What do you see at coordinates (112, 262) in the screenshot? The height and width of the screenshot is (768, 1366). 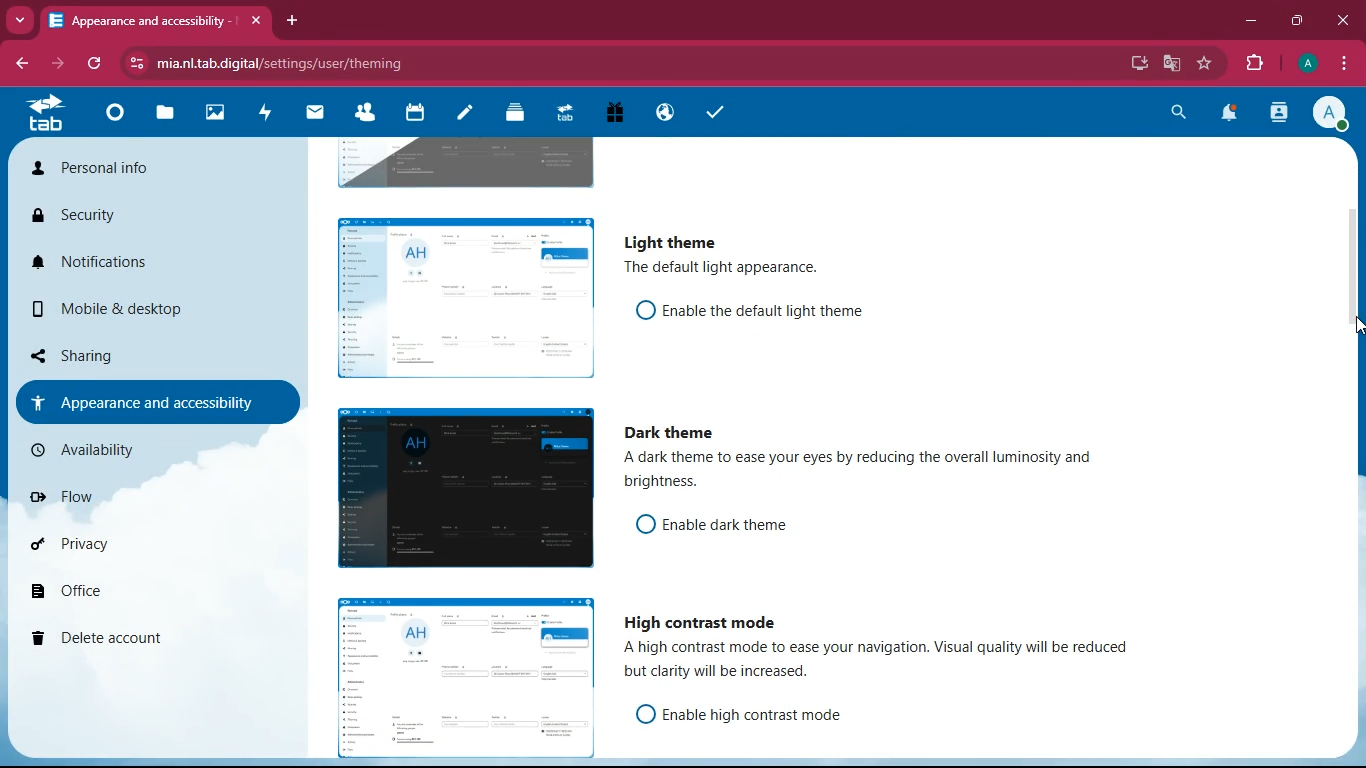 I see `notifications` at bounding box center [112, 262].